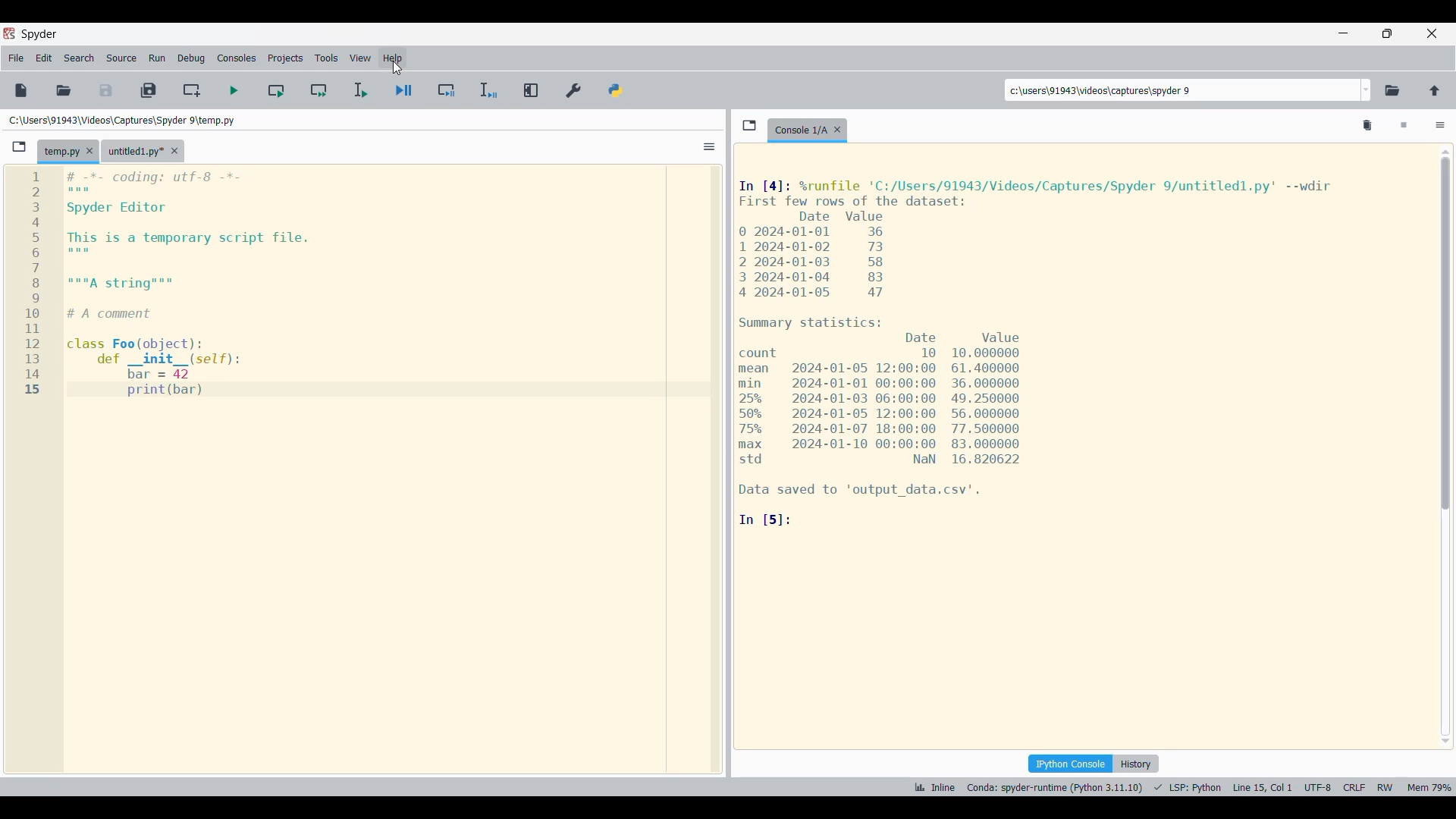 The image size is (1456, 819). I want to click on Options, so click(1441, 126).